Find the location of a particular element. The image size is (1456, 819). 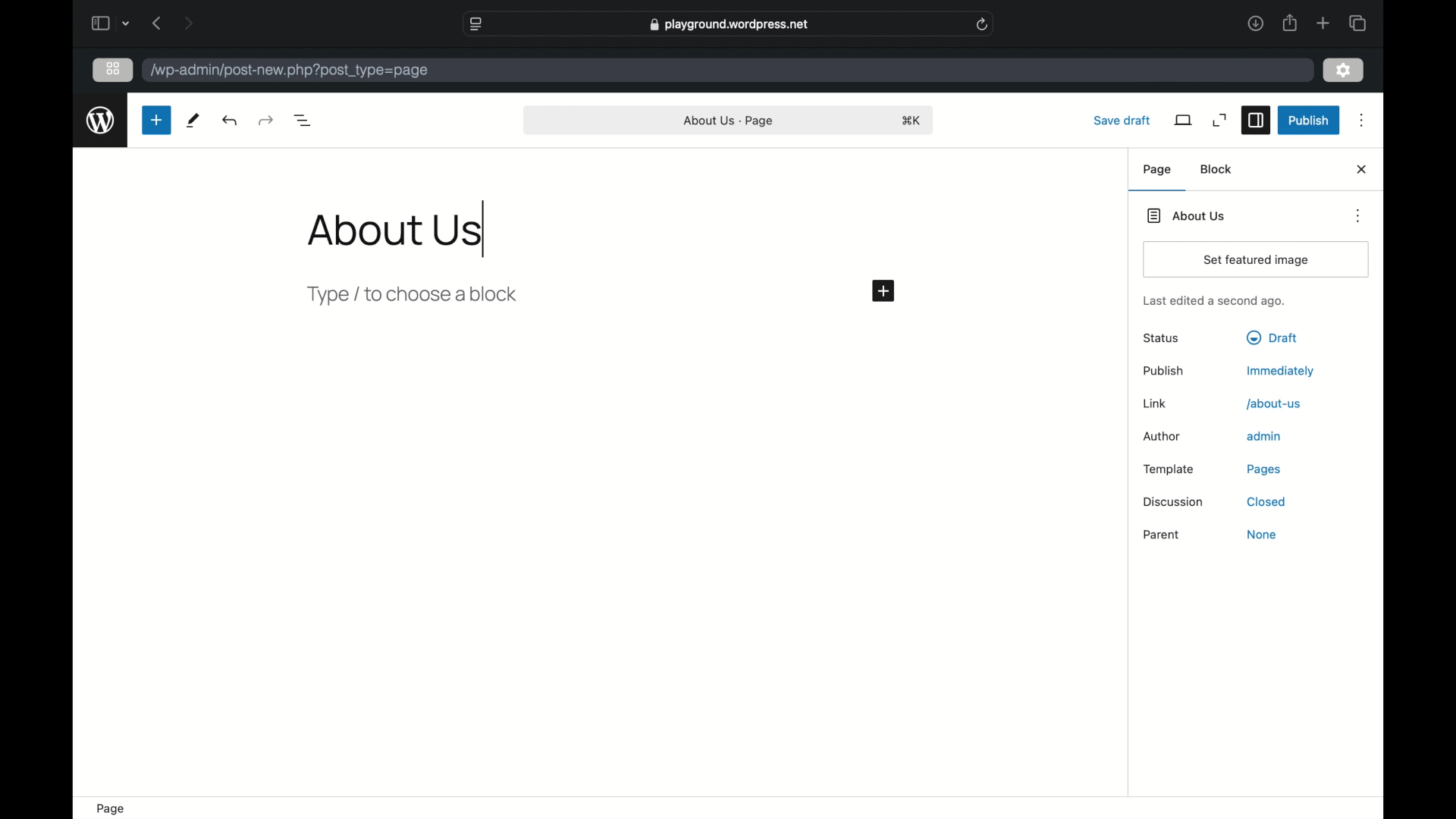

web address is located at coordinates (290, 71).